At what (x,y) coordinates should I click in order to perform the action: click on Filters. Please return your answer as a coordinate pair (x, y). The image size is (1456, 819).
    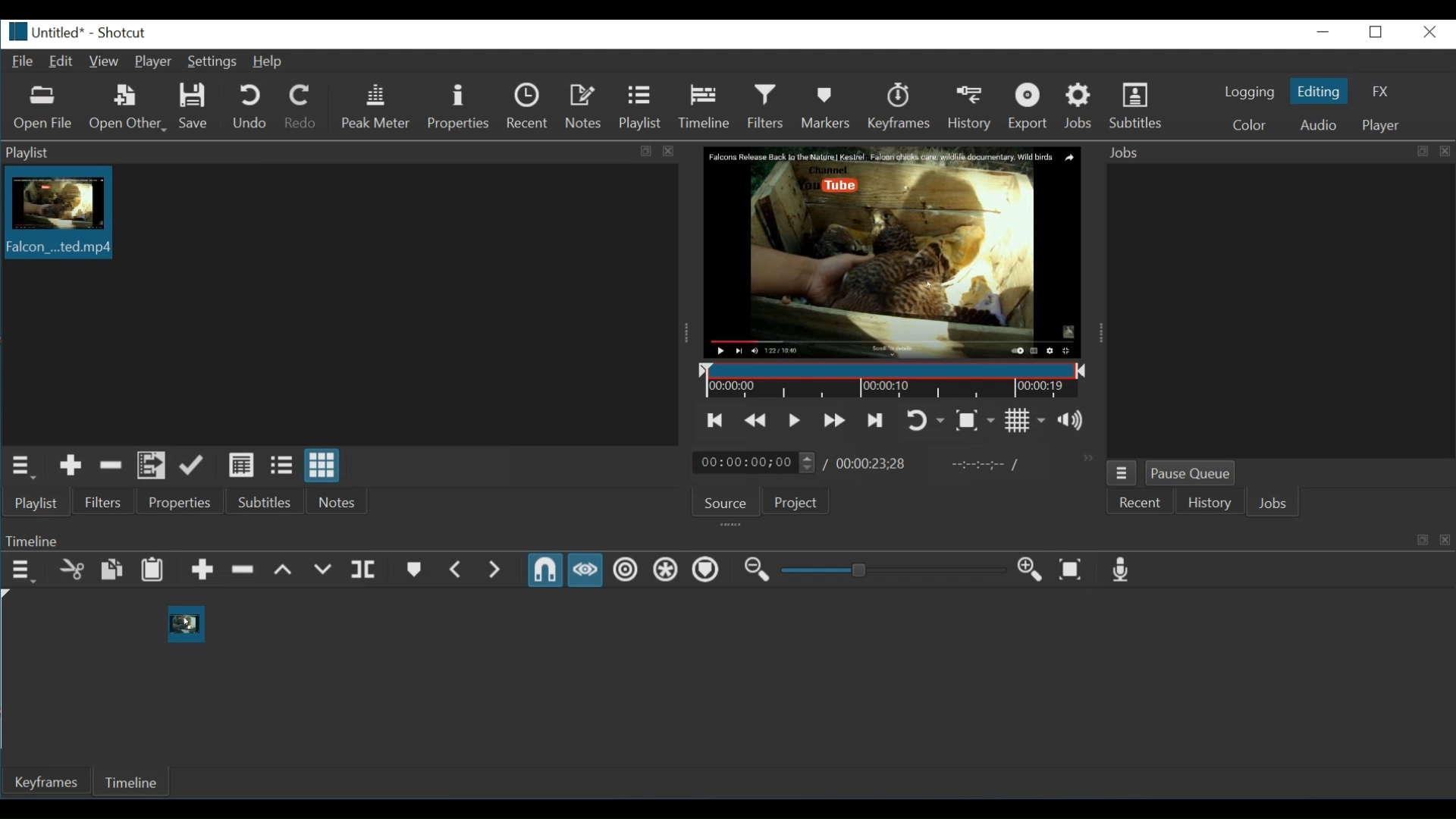
    Looking at the image, I should click on (104, 502).